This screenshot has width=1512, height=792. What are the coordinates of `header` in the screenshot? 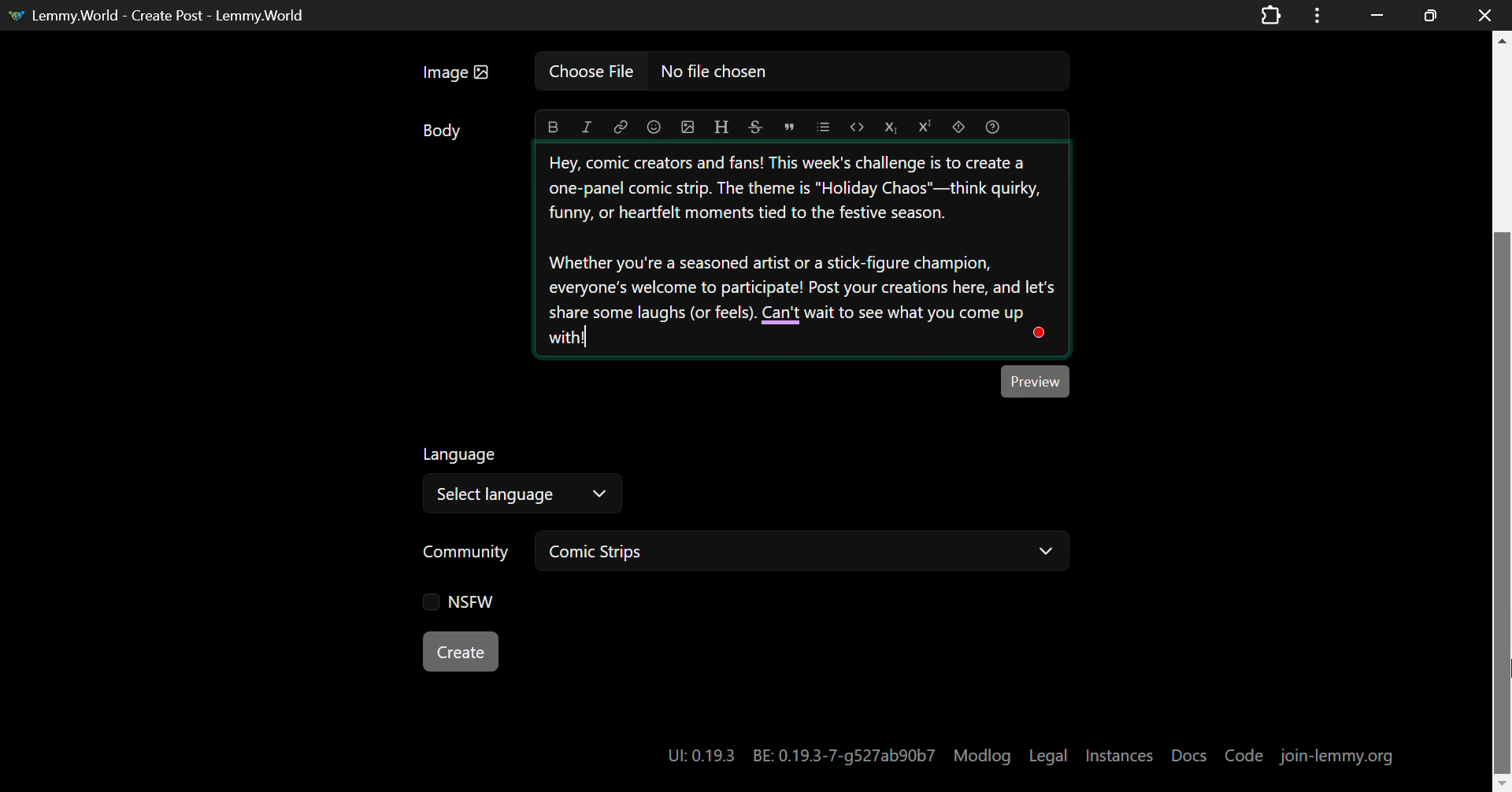 It's located at (720, 128).